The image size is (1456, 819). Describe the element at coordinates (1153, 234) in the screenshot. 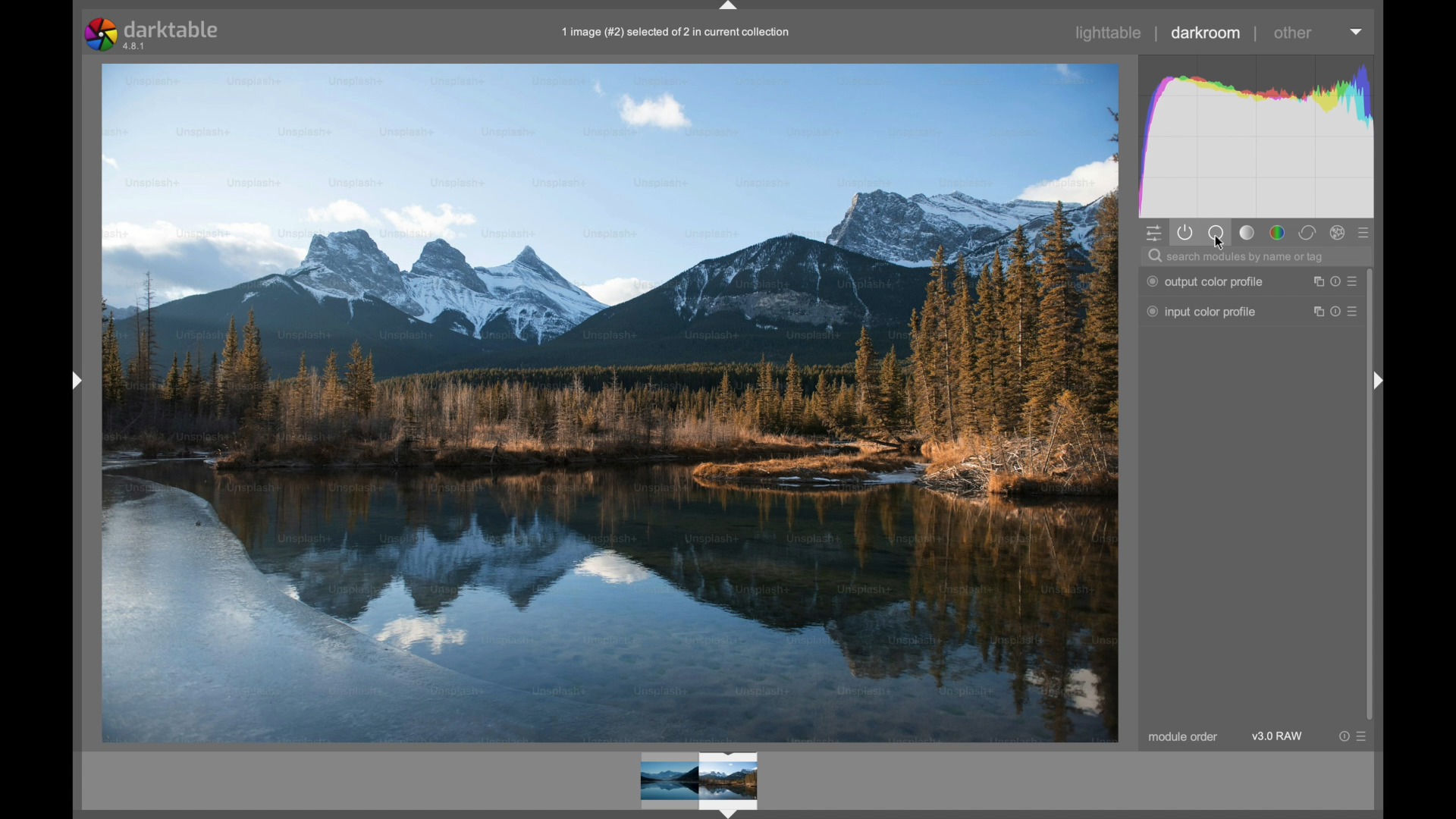

I see `show quick access panel` at that location.